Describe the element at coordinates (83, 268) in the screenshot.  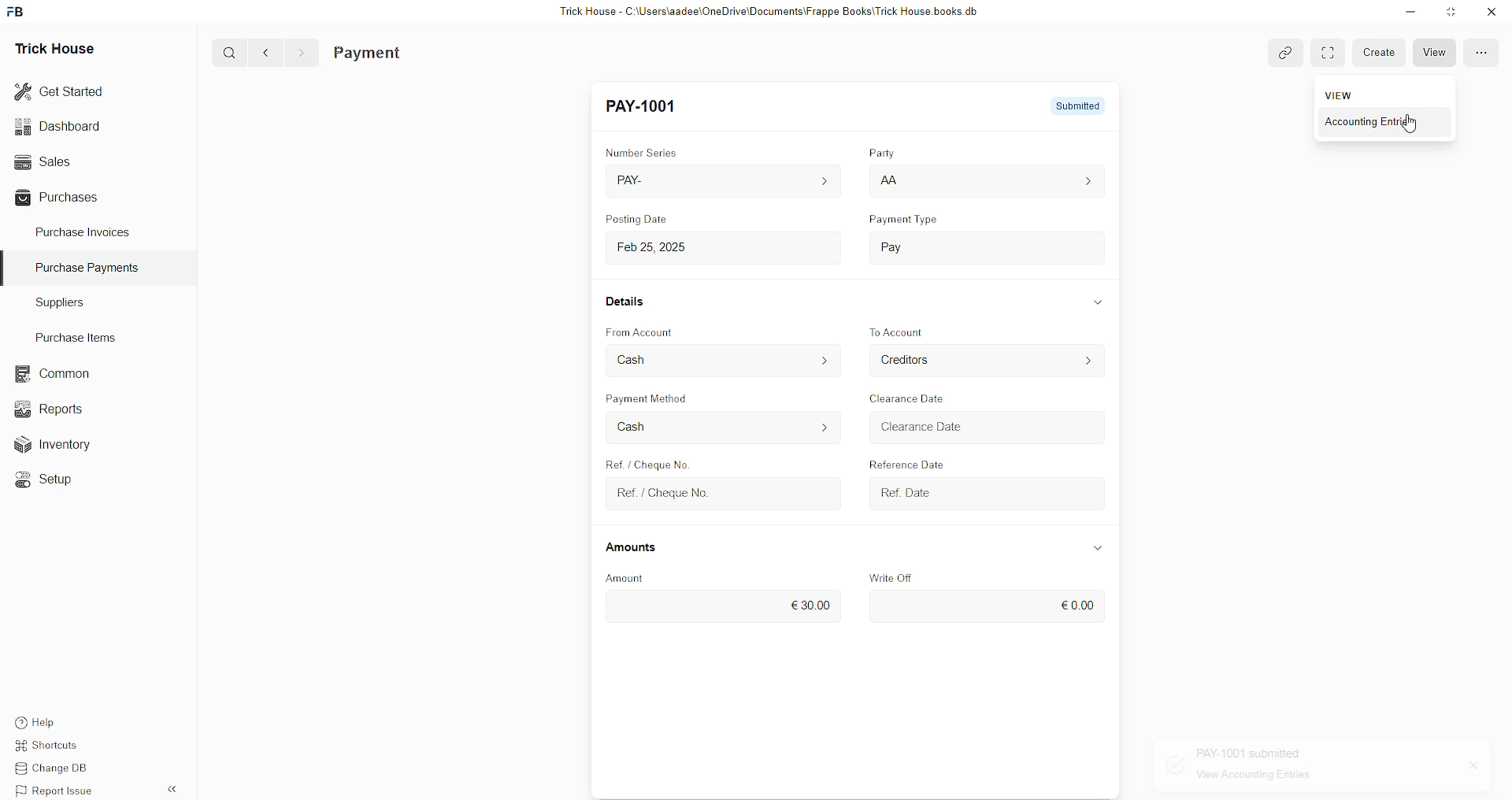
I see `Purchase PaymenTS` at that location.